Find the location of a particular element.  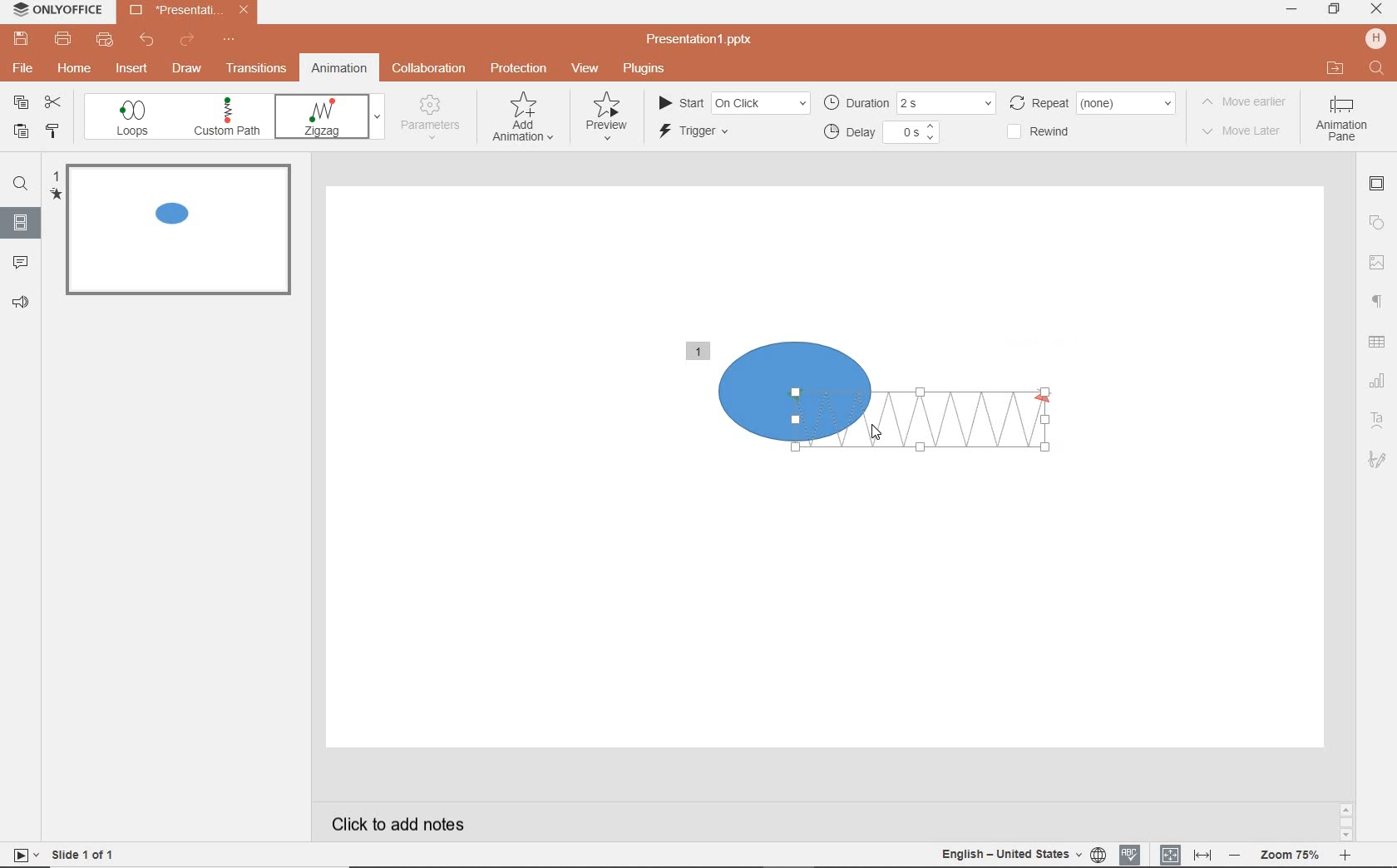

find is located at coordinates (21, 186).